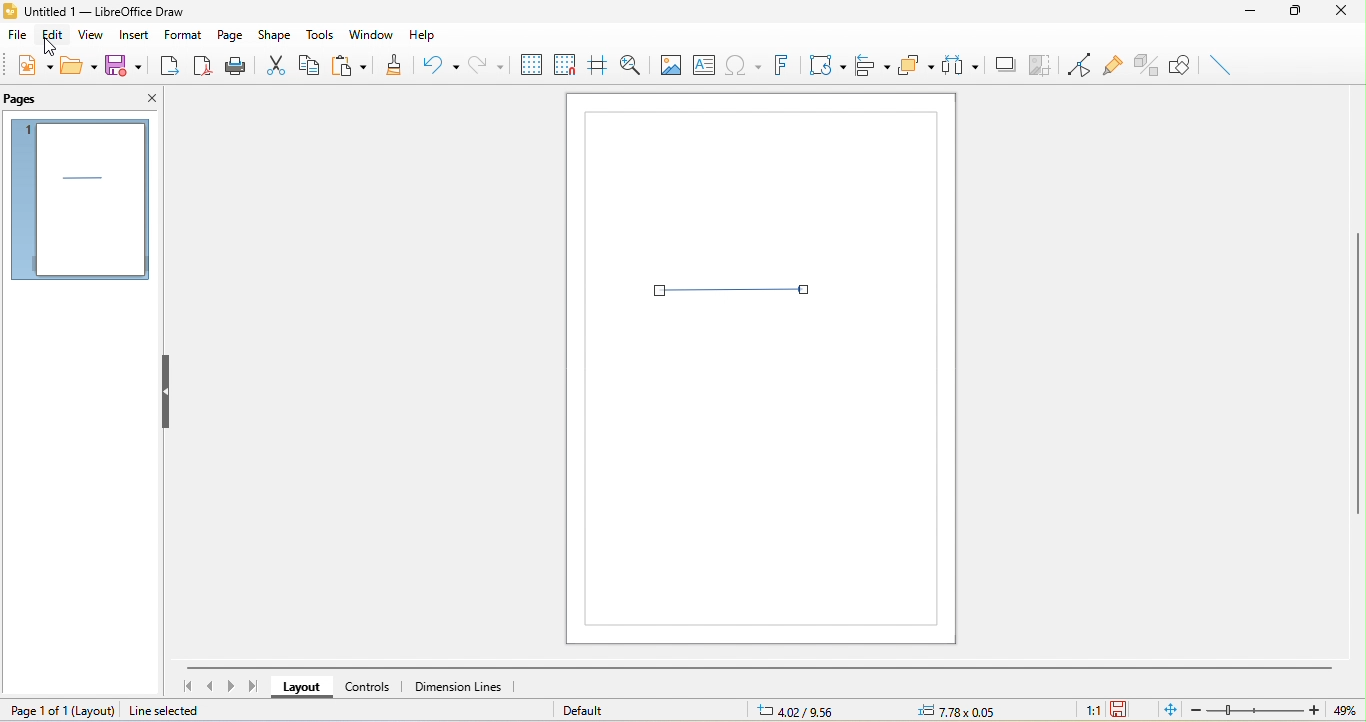  What do you see at coordinates (1111, 62) in the screenshot?
I see `gluepoint function` at bounding box center [1111, 62].